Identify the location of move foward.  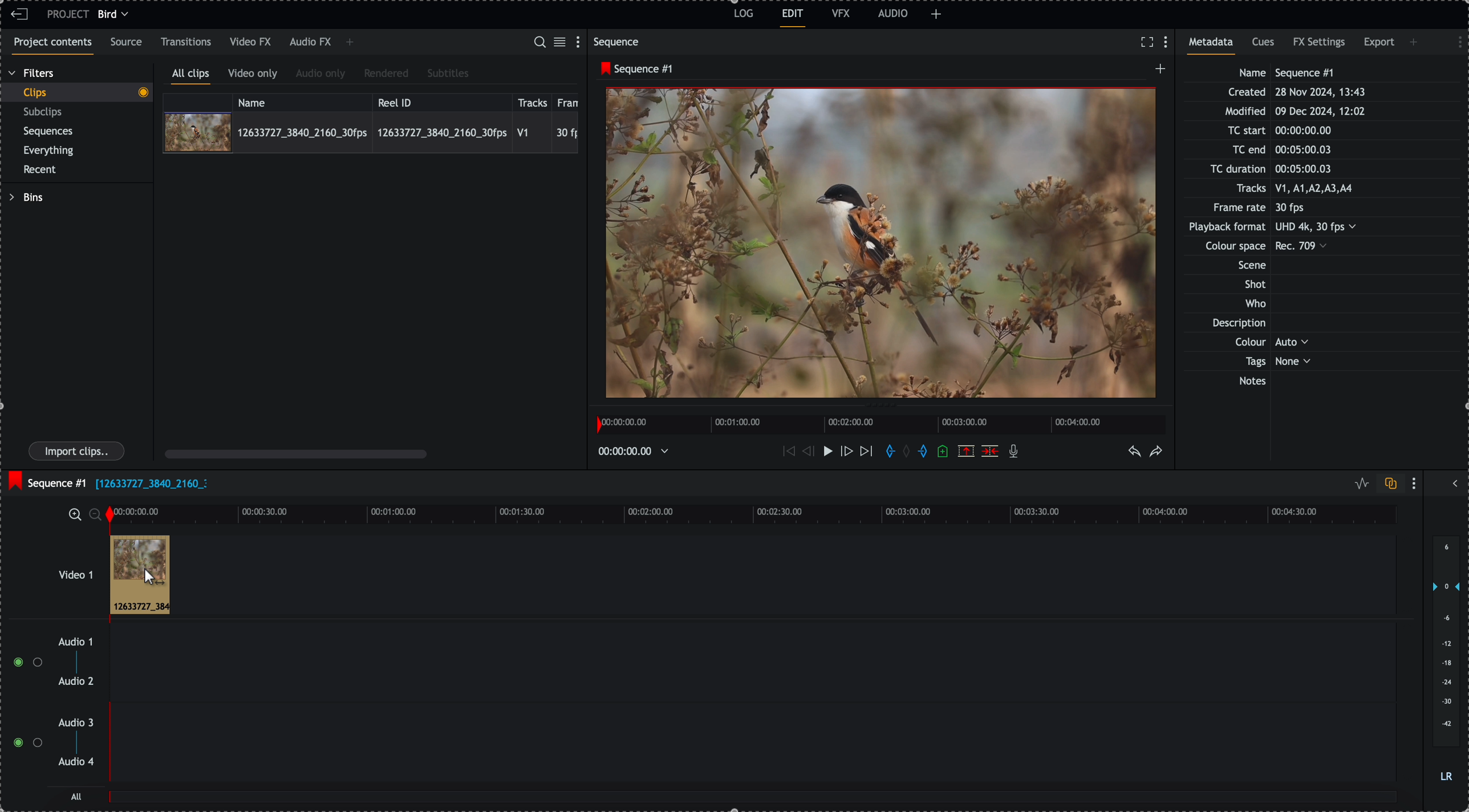
(866, 453).